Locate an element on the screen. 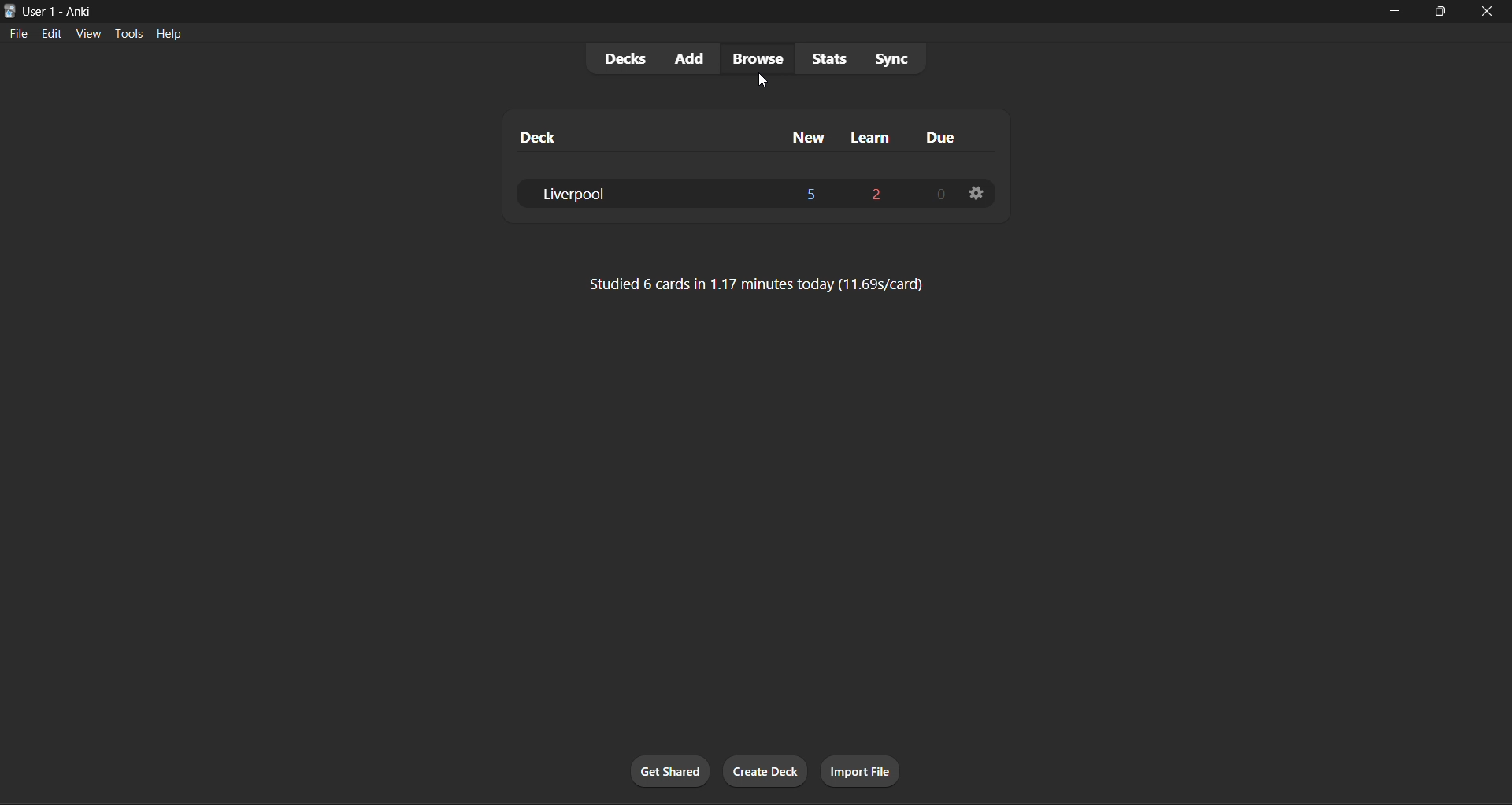 This screenshot has width=1512, height=805. maximize is located at coordinates (1440, 13).